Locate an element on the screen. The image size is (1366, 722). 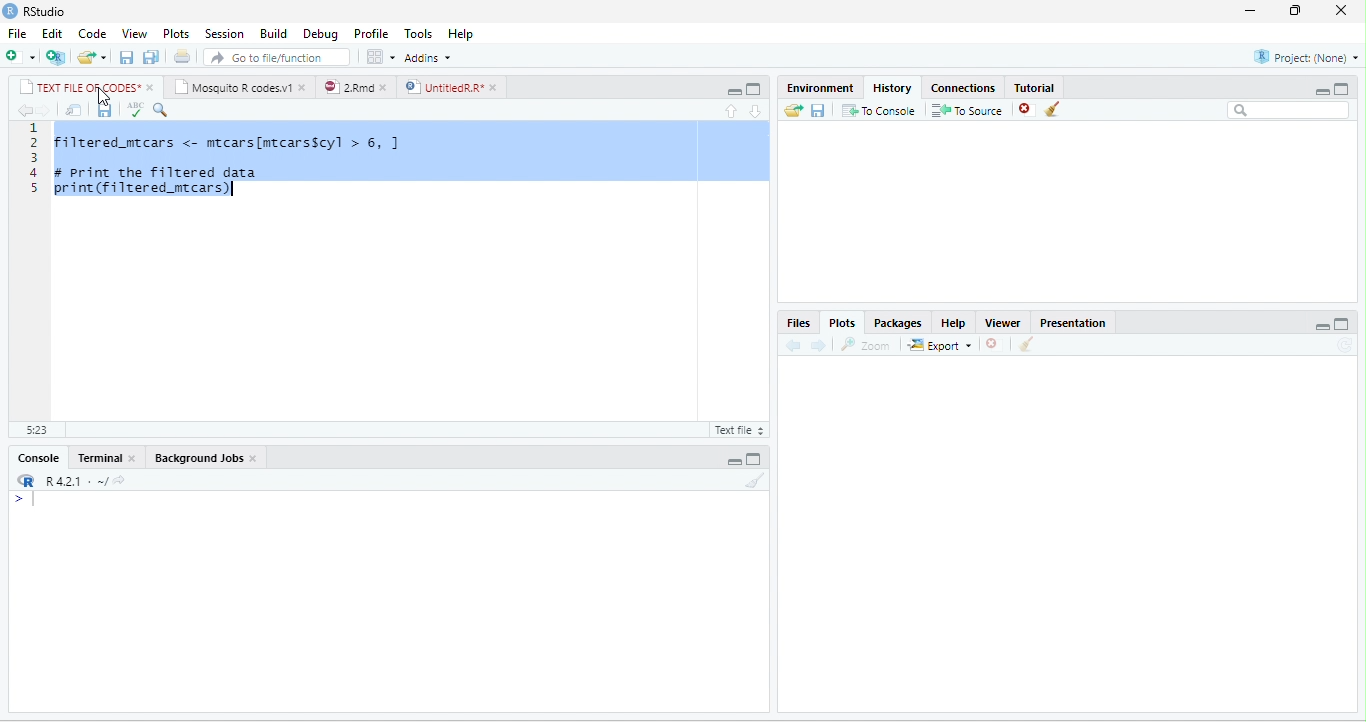
# print the filtered data
print (filtered mtcars) is located at coordinates (164, 181).